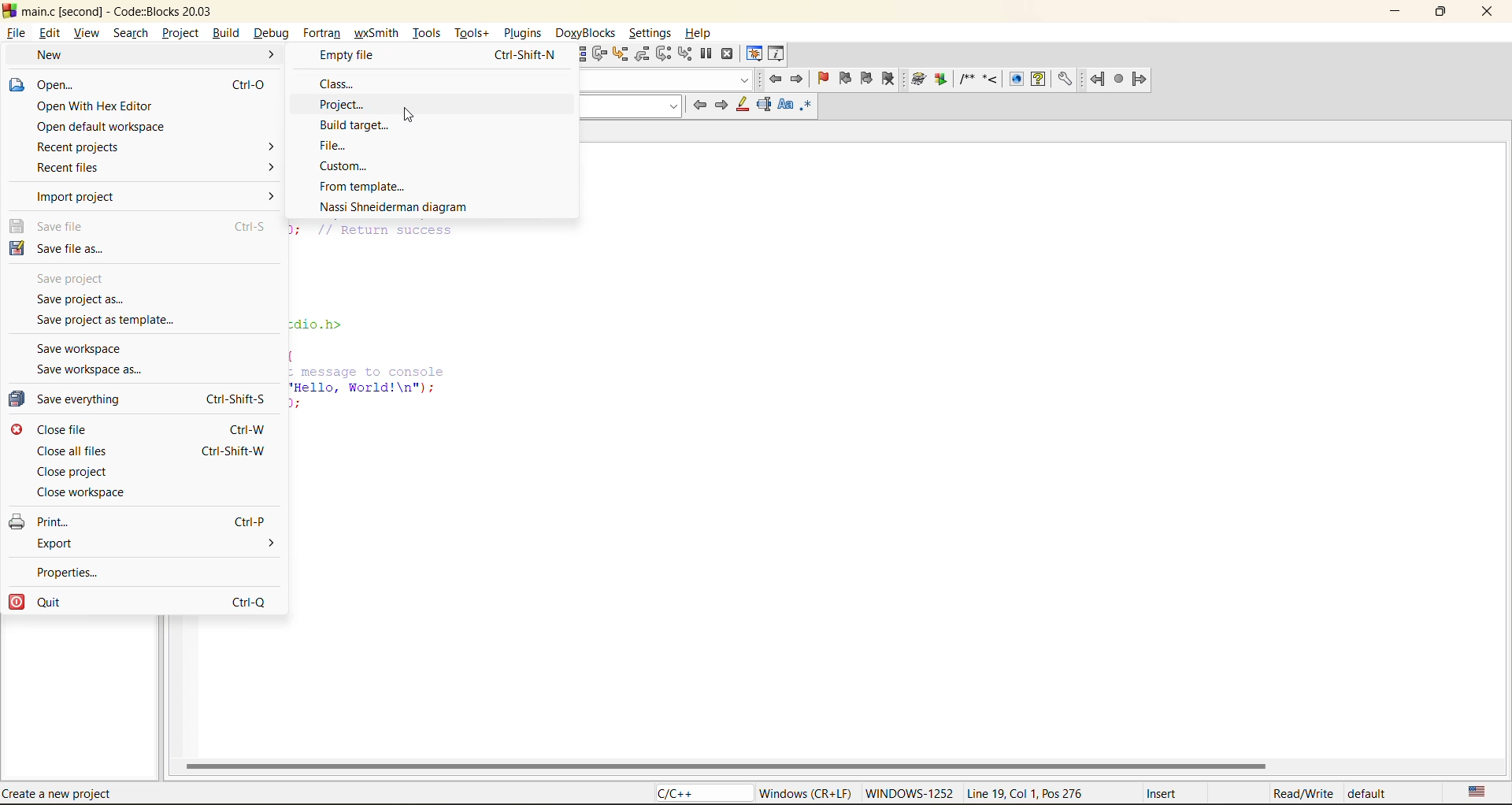 This screenshot has width=1512, height=805. I want to click on project, so click(342, 103).